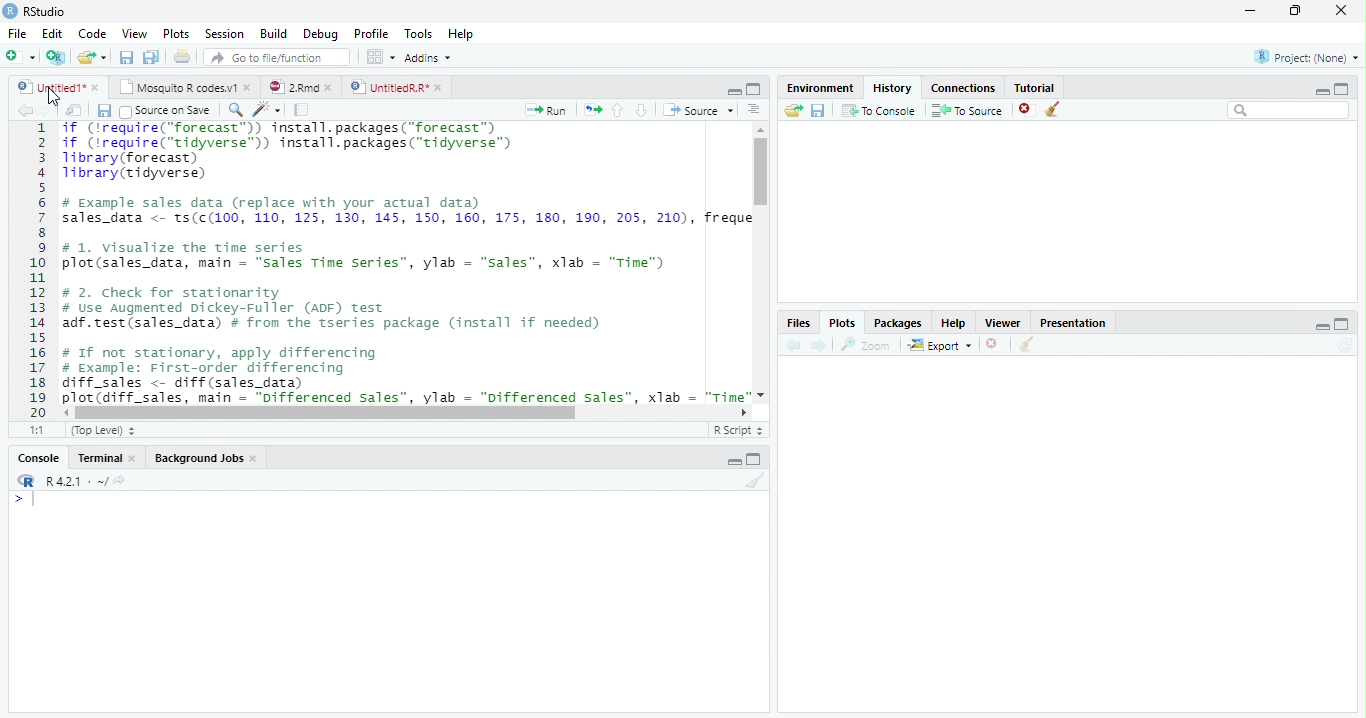 The width and height of the screenshot is (1366, 718). What do you see at coordinates (74, 110) in the screenshot?
I see `Show in new window` at bounding box center [74, 110].